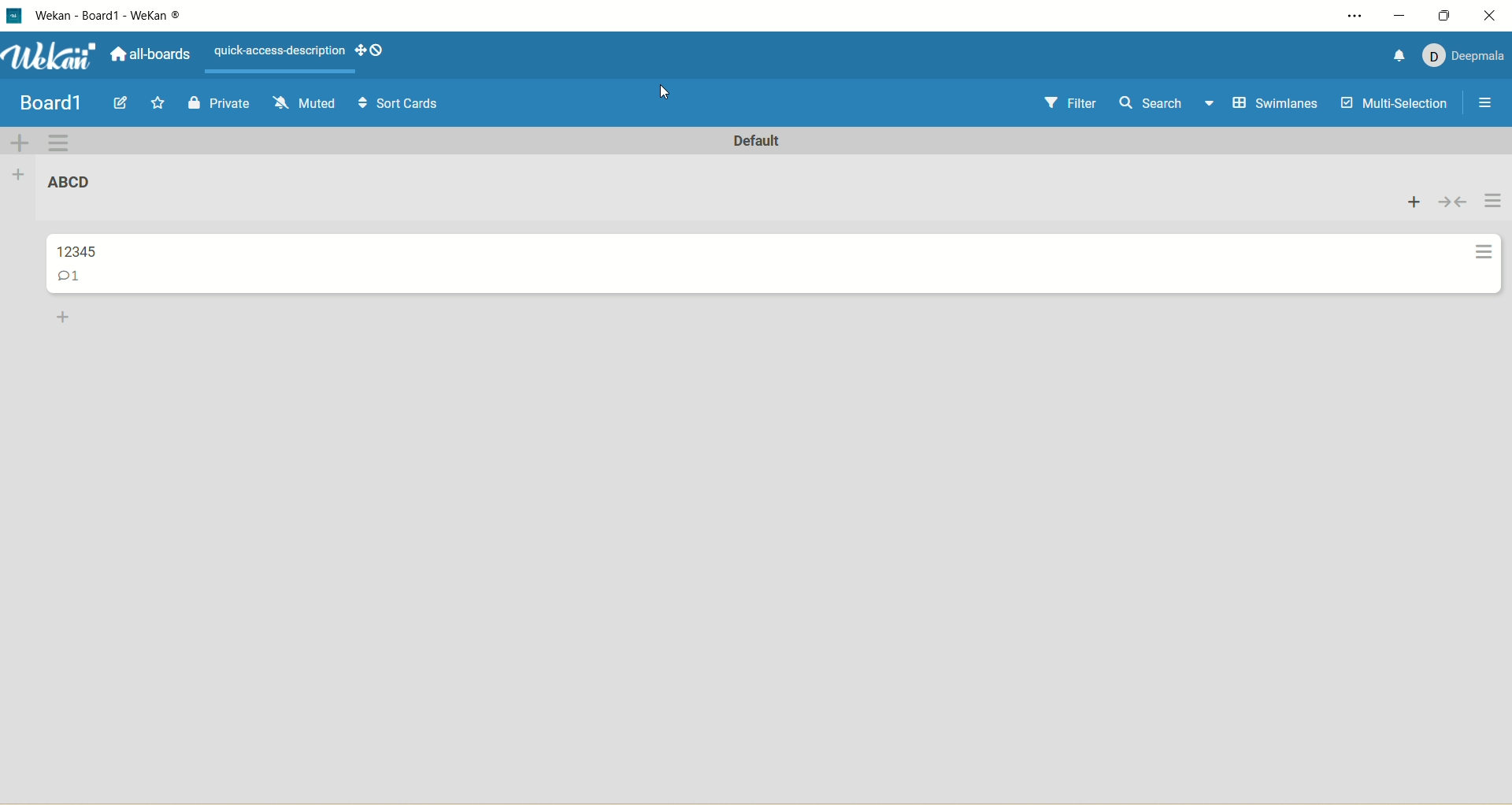 Image resolution: width=1512 pixels, height=805 pixels. What do you see at coordinates (301, 101) in the screenshot?
I see `muted` at bounding box center [301, 101].